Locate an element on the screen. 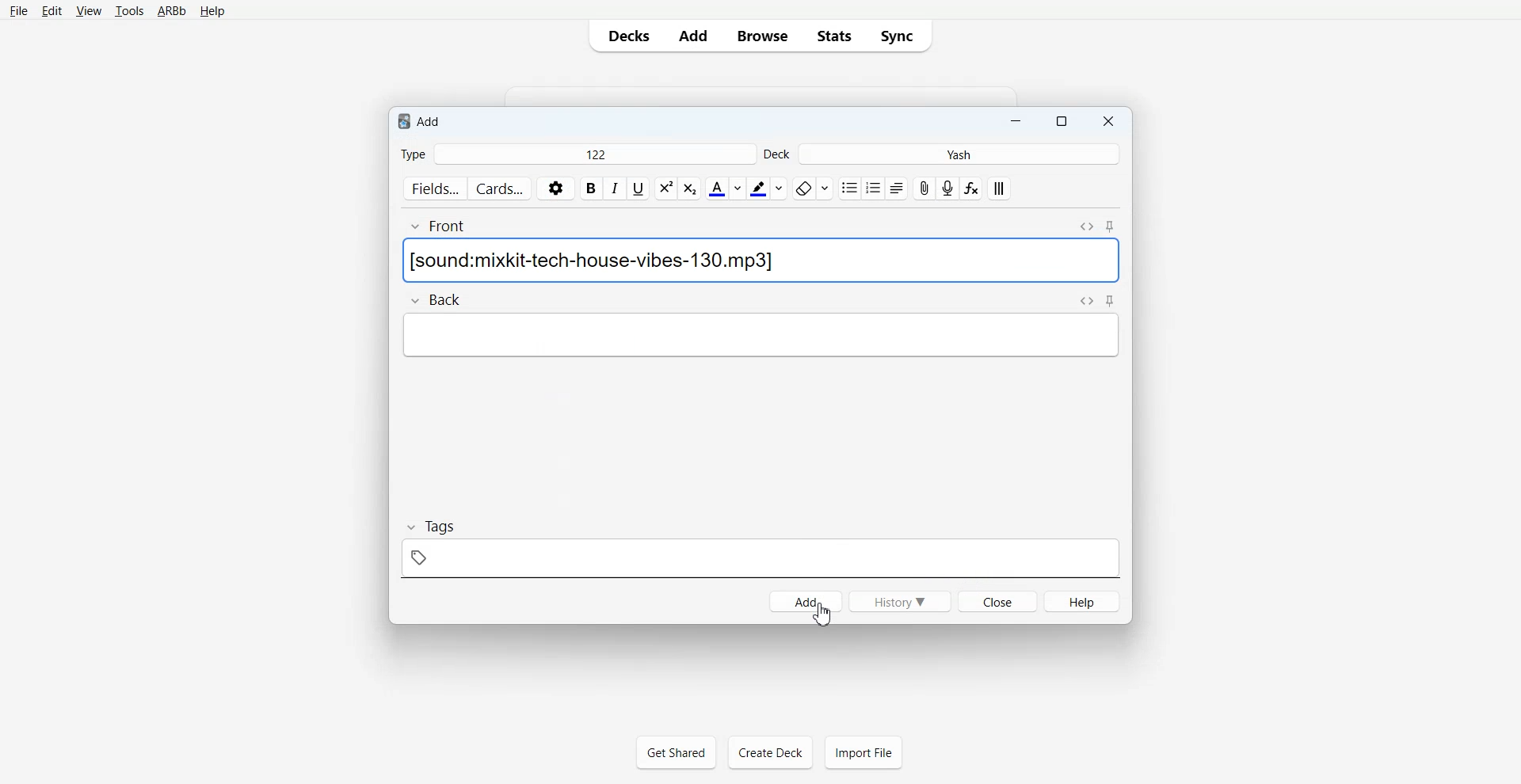 The image size is (1521, 784). Browse is located at coordinates (761, 36).